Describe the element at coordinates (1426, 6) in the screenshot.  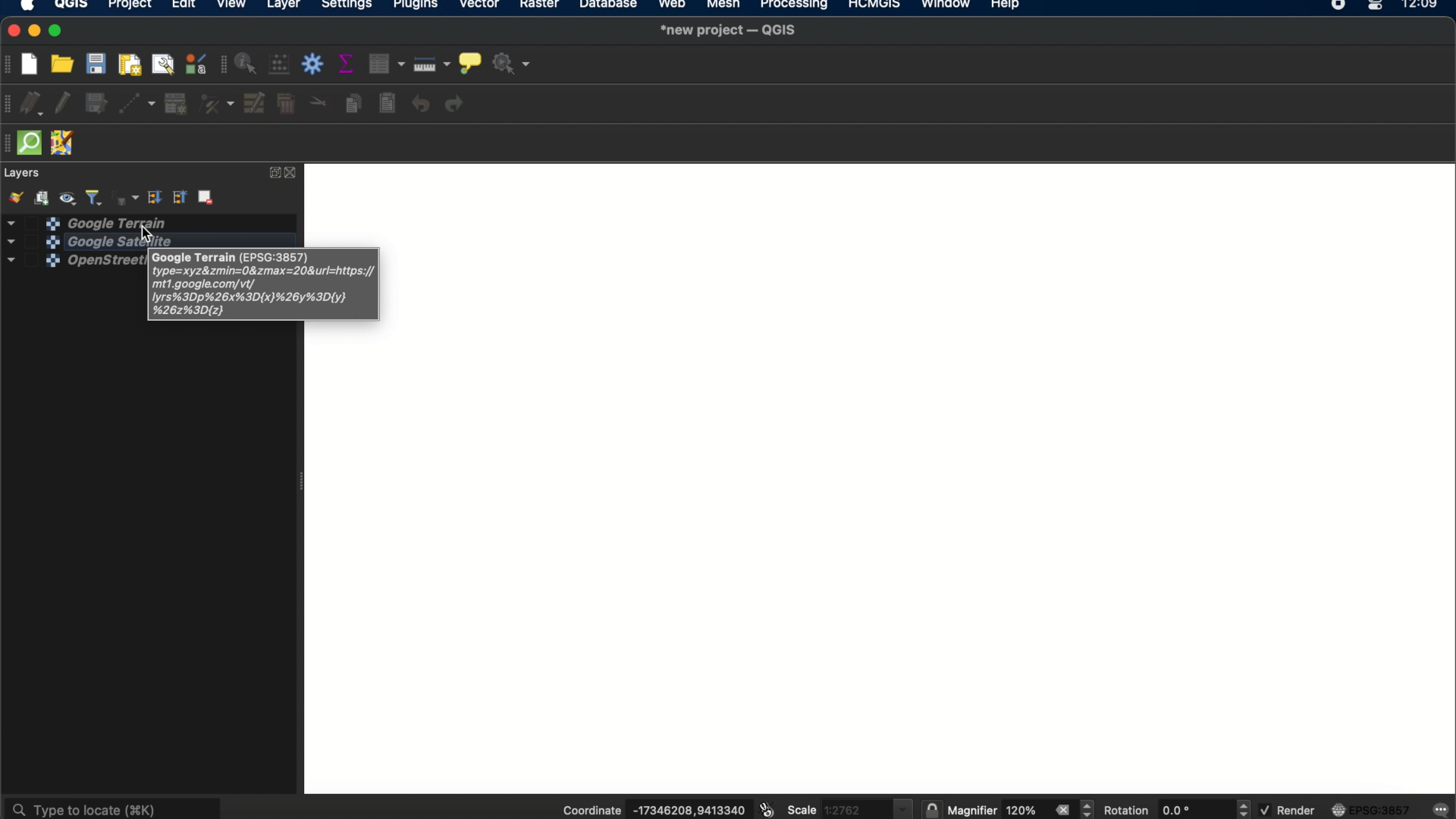
I see `12.09` at that location.